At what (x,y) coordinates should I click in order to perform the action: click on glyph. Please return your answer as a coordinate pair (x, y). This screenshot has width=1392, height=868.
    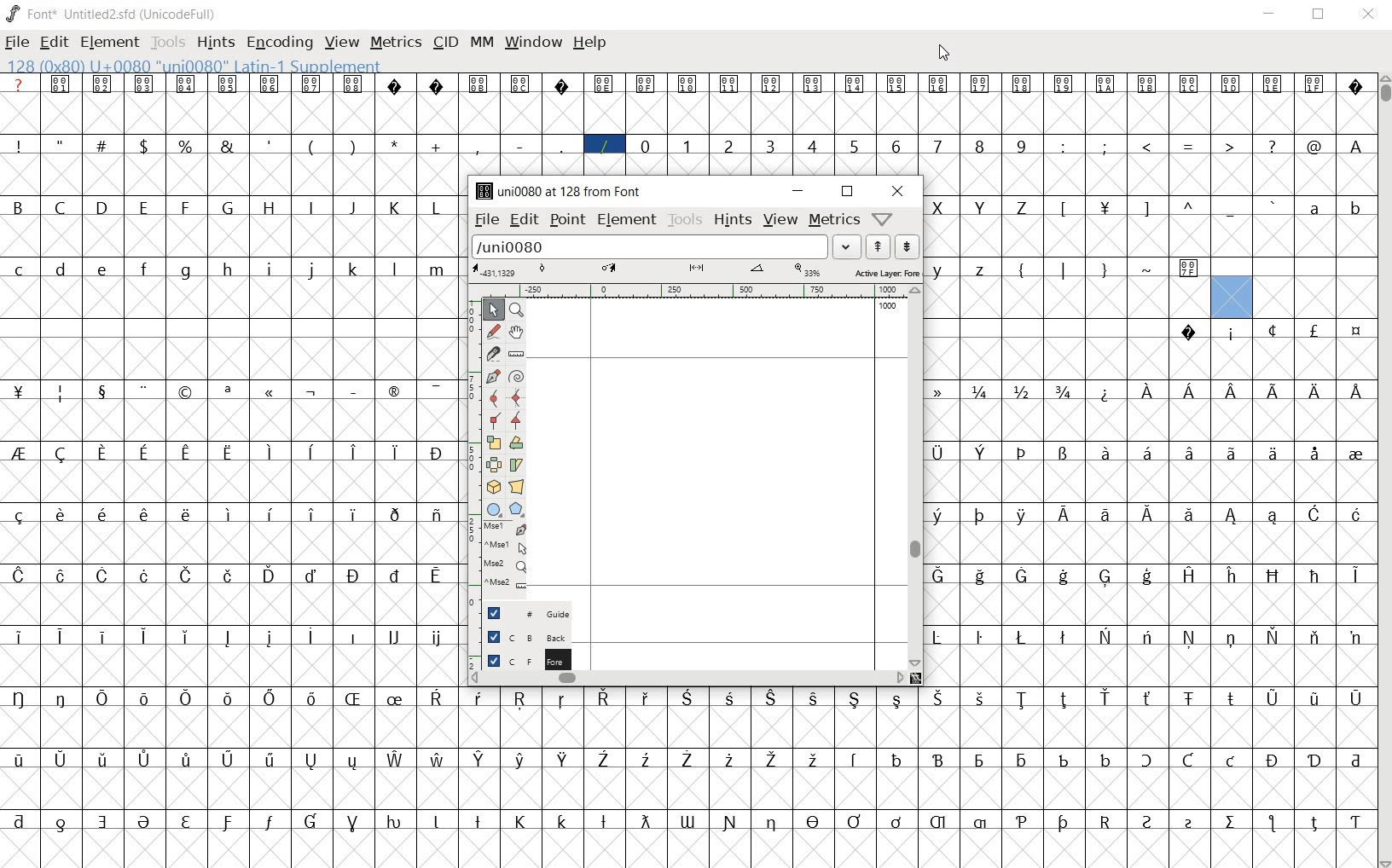
    Looking at the image, I should click on (227, 823).